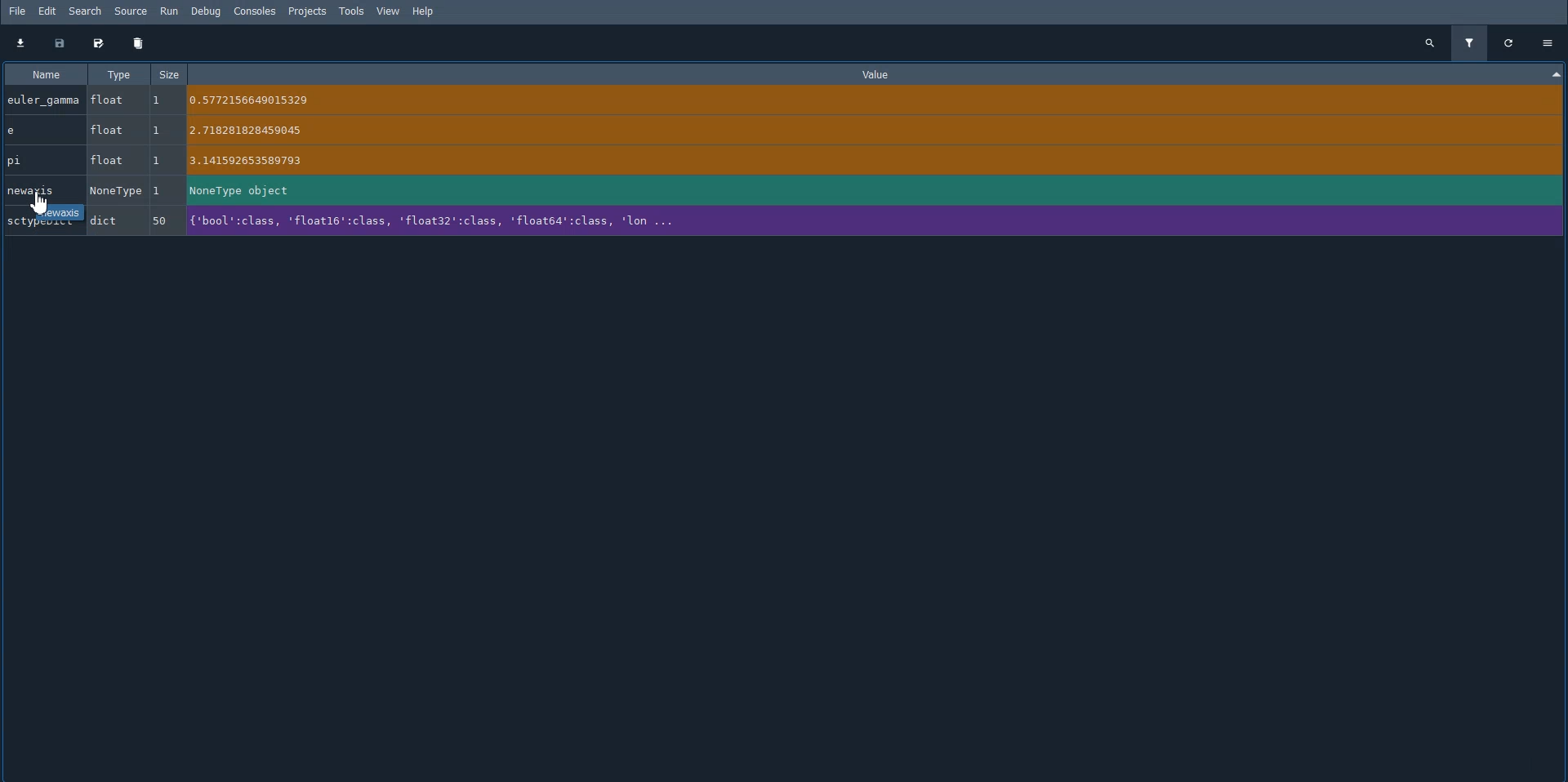 The image size is (1568, 782). Describe the element at coordinates (1511, 42) in the screenshot. I see `Refresh all variables ` at that location.